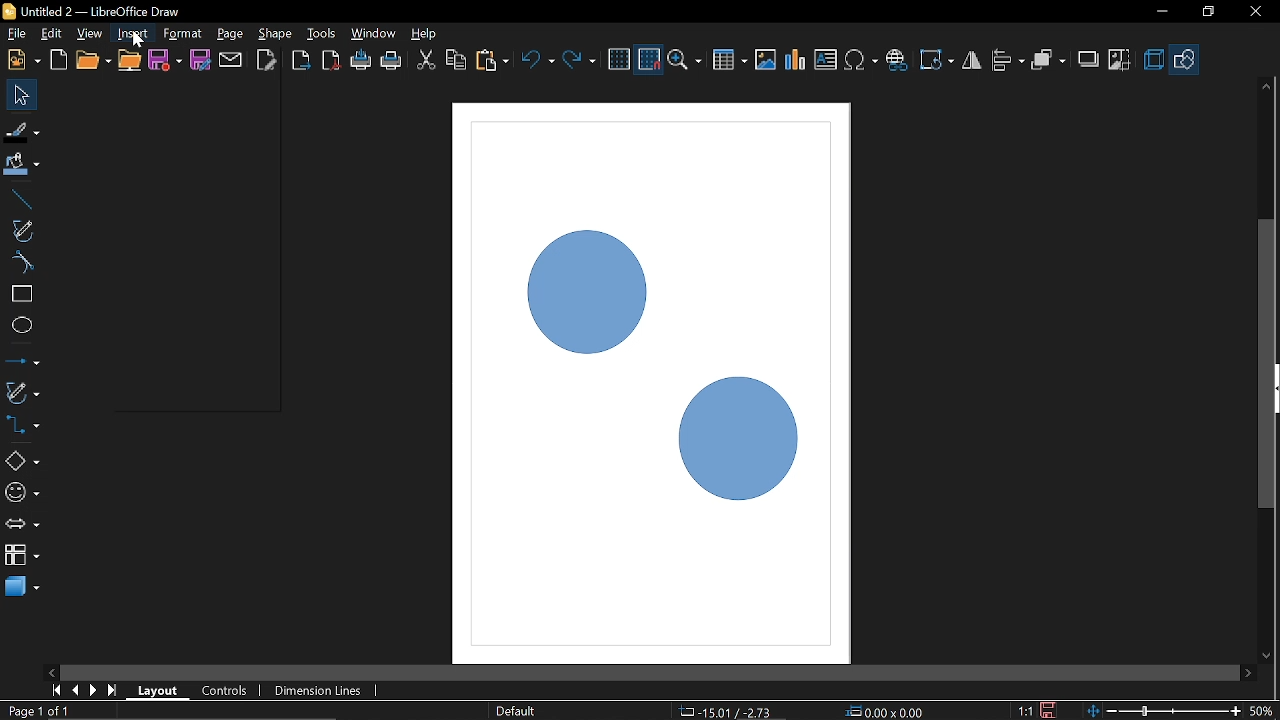  What do you see at coordinates (22, 326) in the screenshot?
I see `Eclipse` at bounding box center [22, 326].